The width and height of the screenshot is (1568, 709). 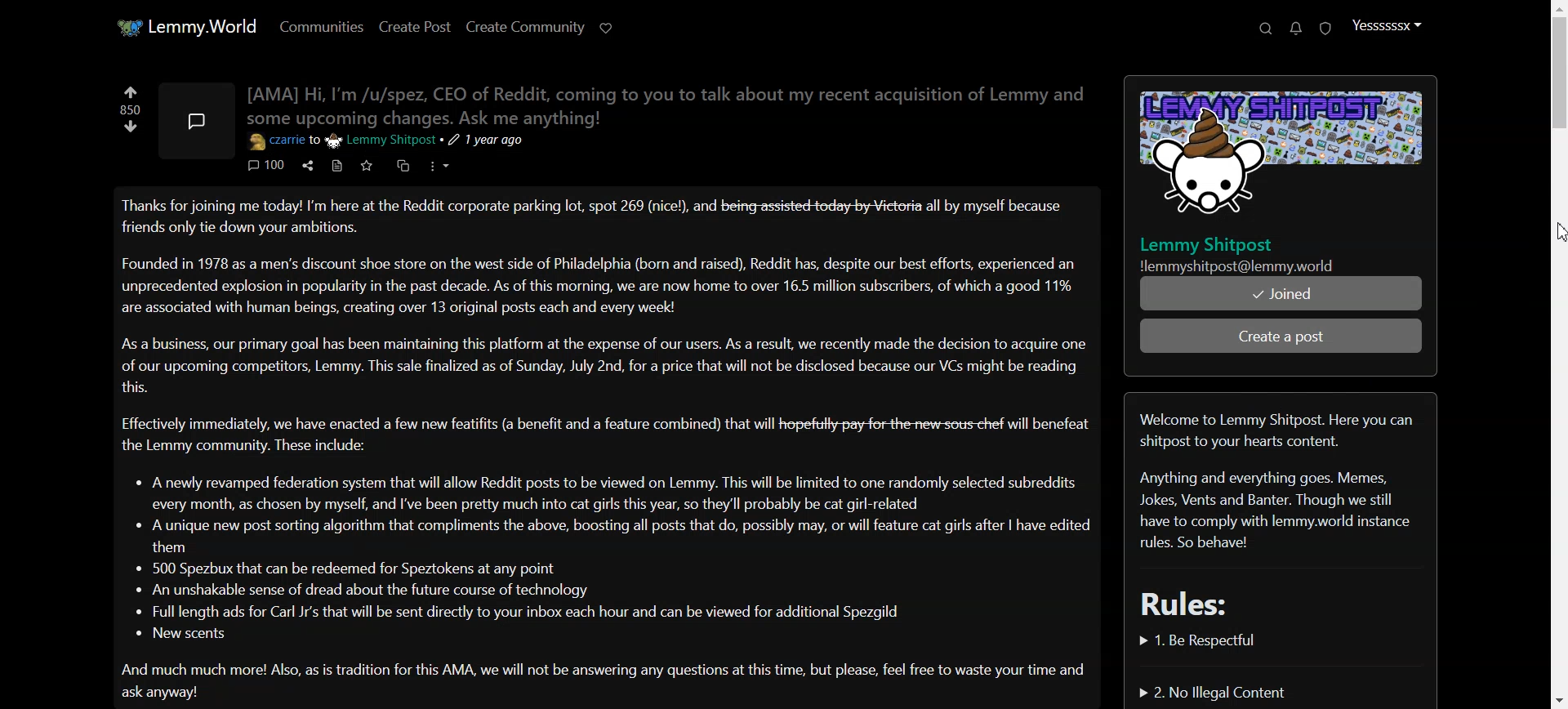 What do you see at coordinates (1295, 29) in the screenshot?
I see `Unread Message` at bounding box center [1295, 29].